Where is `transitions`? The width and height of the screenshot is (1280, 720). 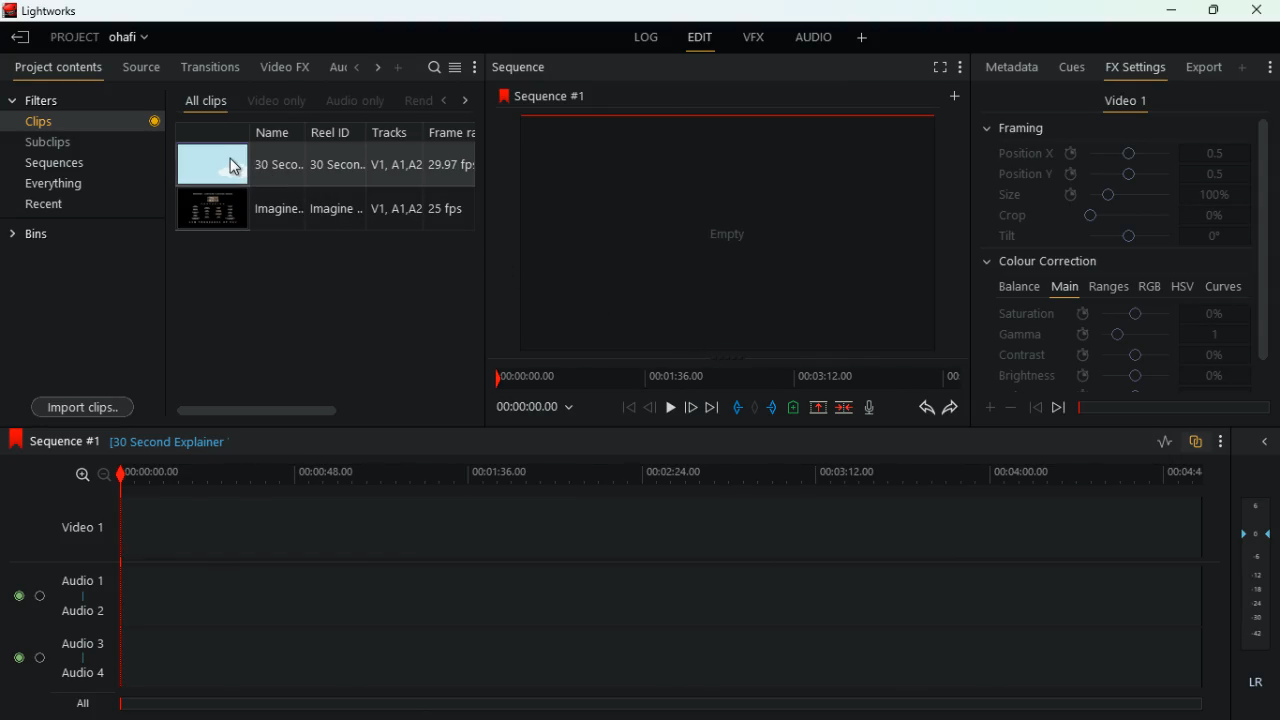
transitions is located at coordinates (212, 67).